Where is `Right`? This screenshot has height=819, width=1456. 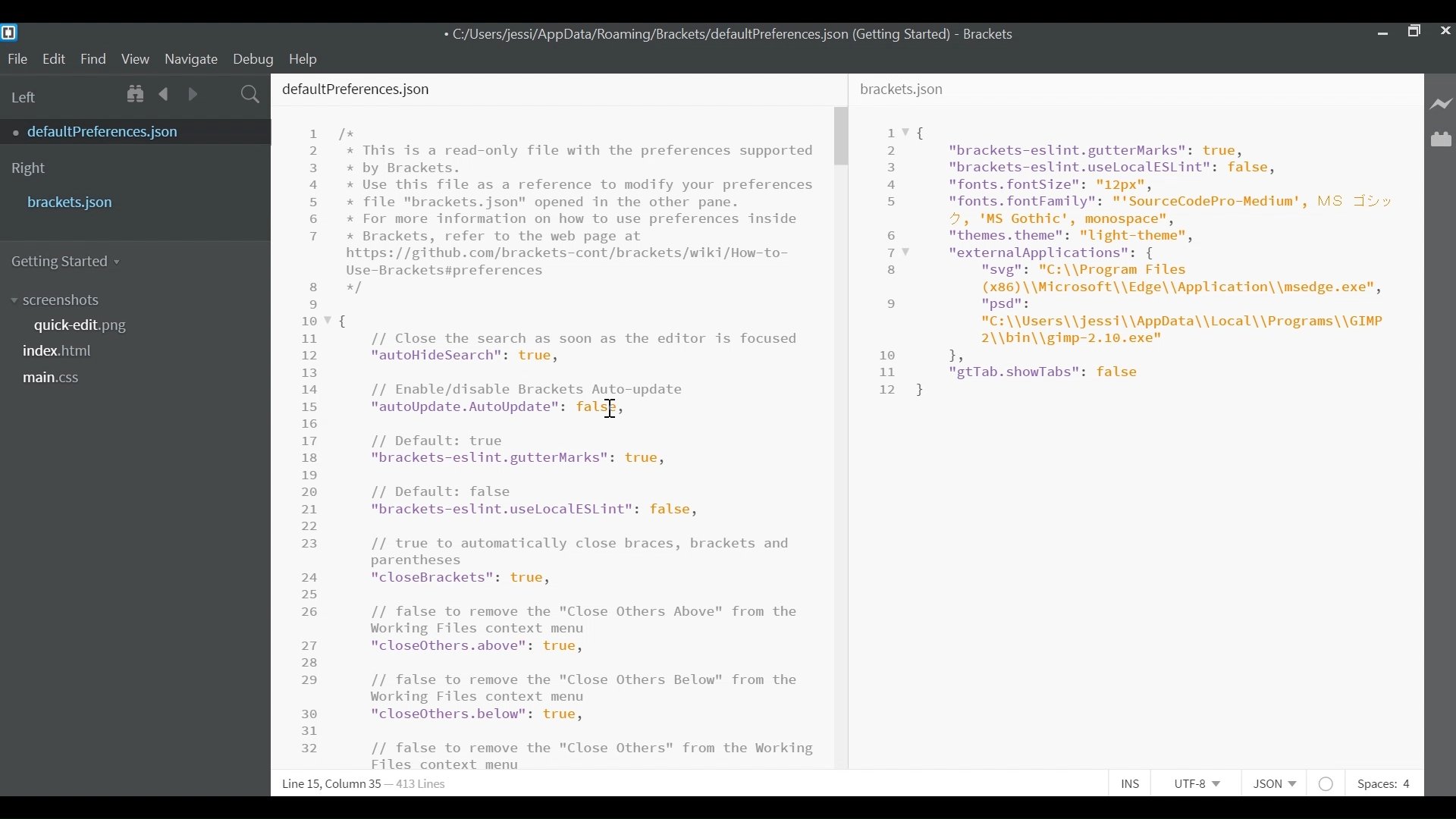
Right is located at coordinates (29, 169).